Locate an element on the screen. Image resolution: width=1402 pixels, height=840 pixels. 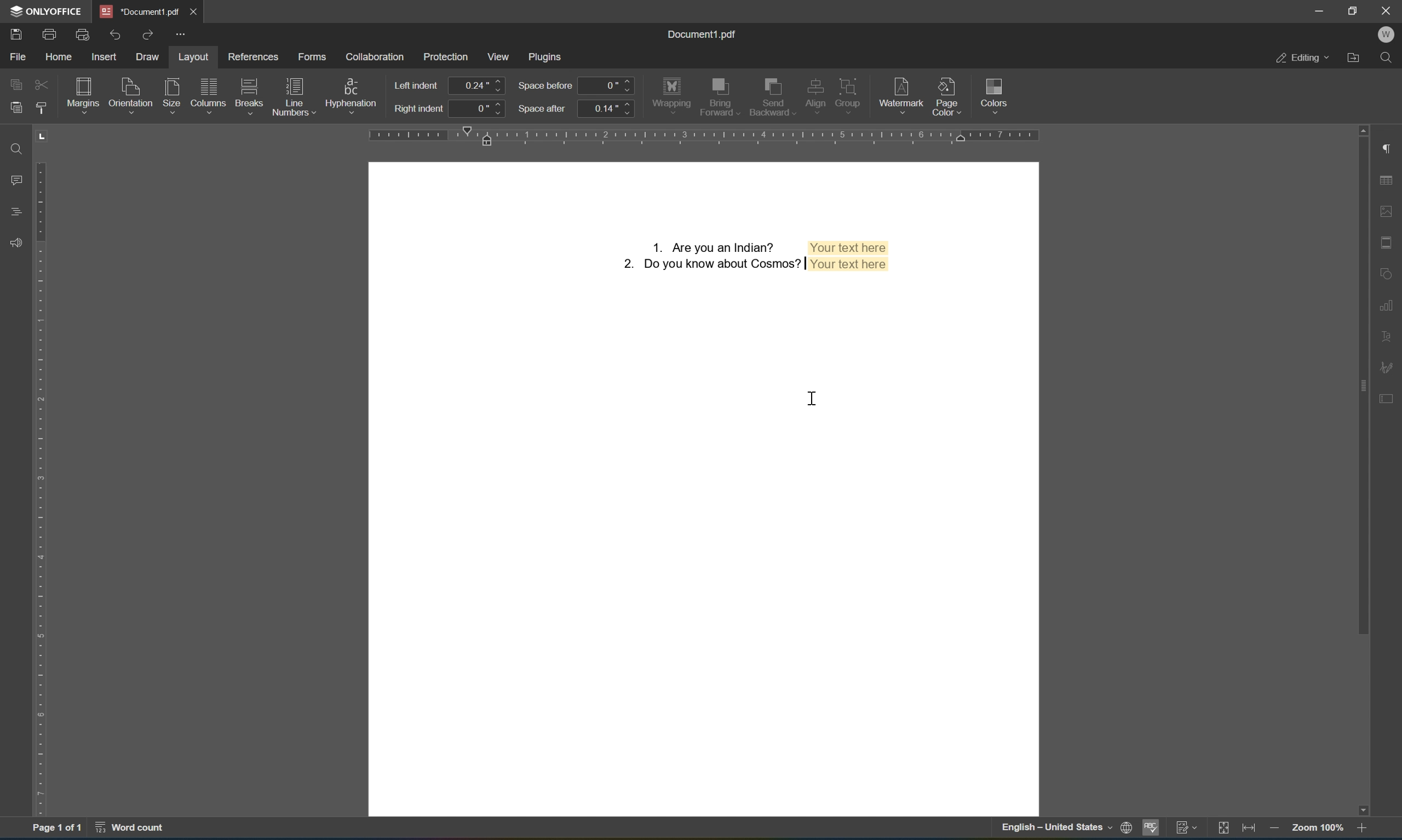
layout is located at coordinates (193, 57).